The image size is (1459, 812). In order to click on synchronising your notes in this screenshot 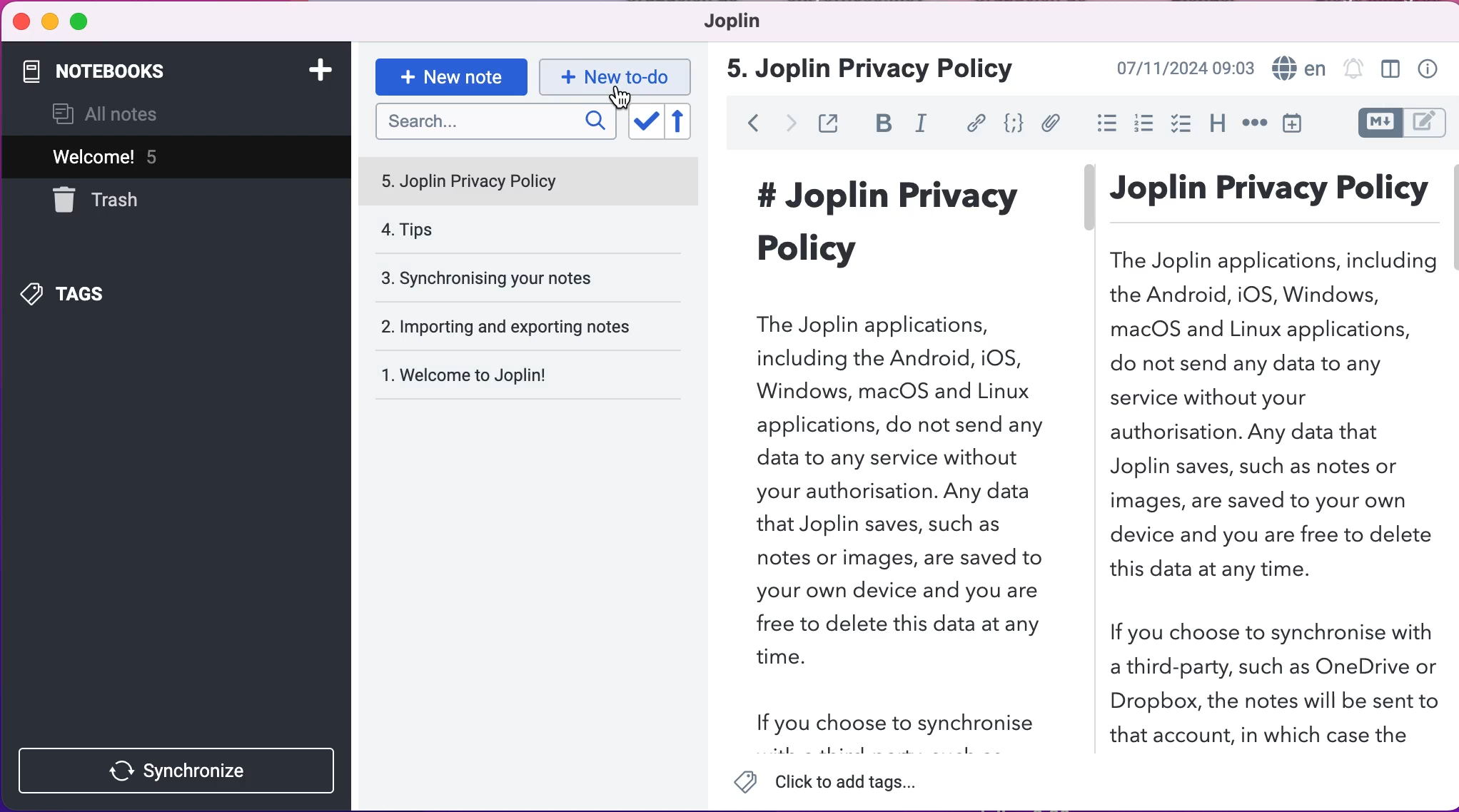, I will do `click(530, 278)`.